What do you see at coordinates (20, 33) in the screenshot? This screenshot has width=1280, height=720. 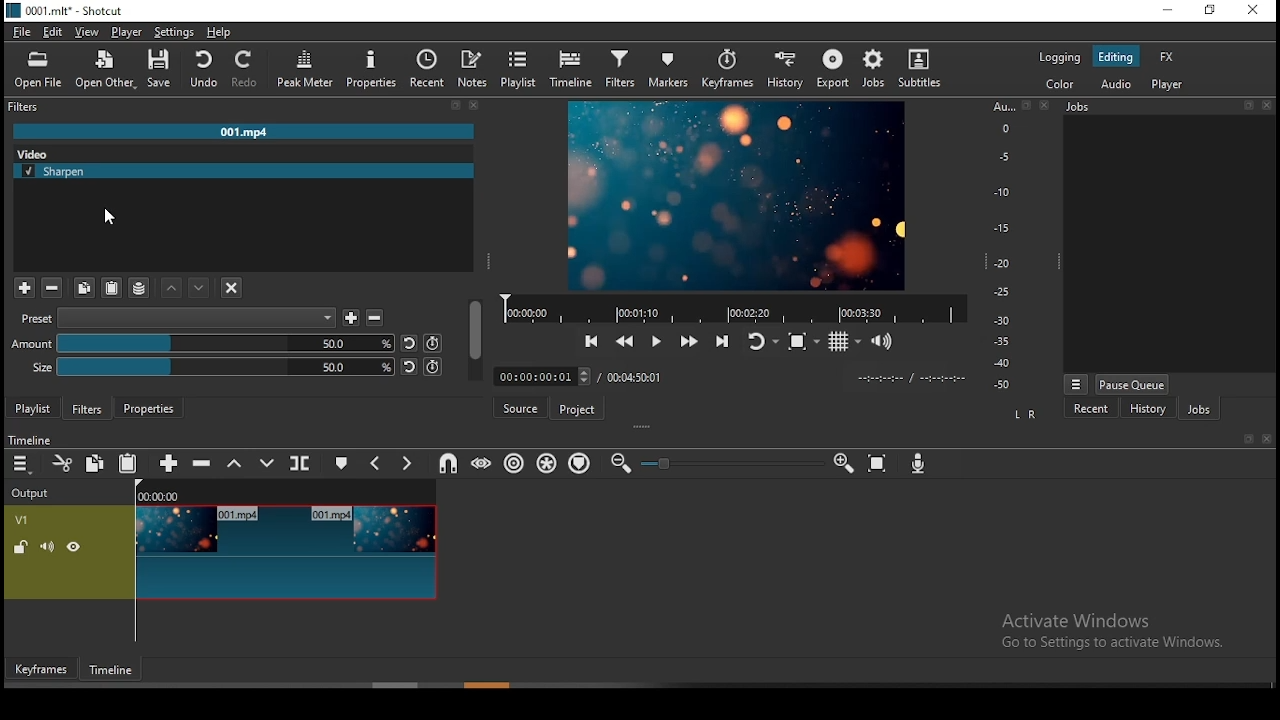 I see `file` at bounding box center [20, 33].